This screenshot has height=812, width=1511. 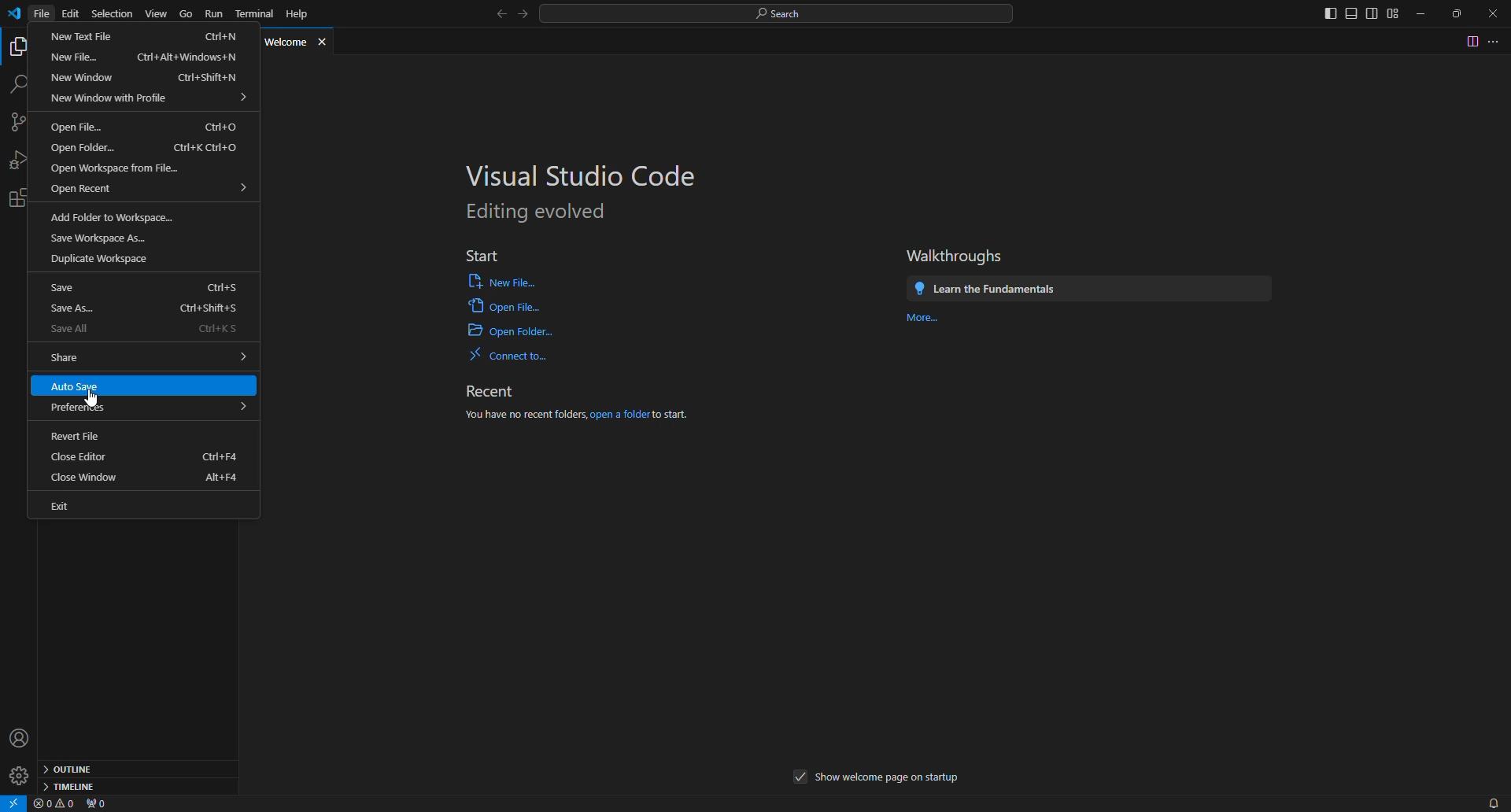 I want to click on no ports forwarded, so click(x=100, y=804).